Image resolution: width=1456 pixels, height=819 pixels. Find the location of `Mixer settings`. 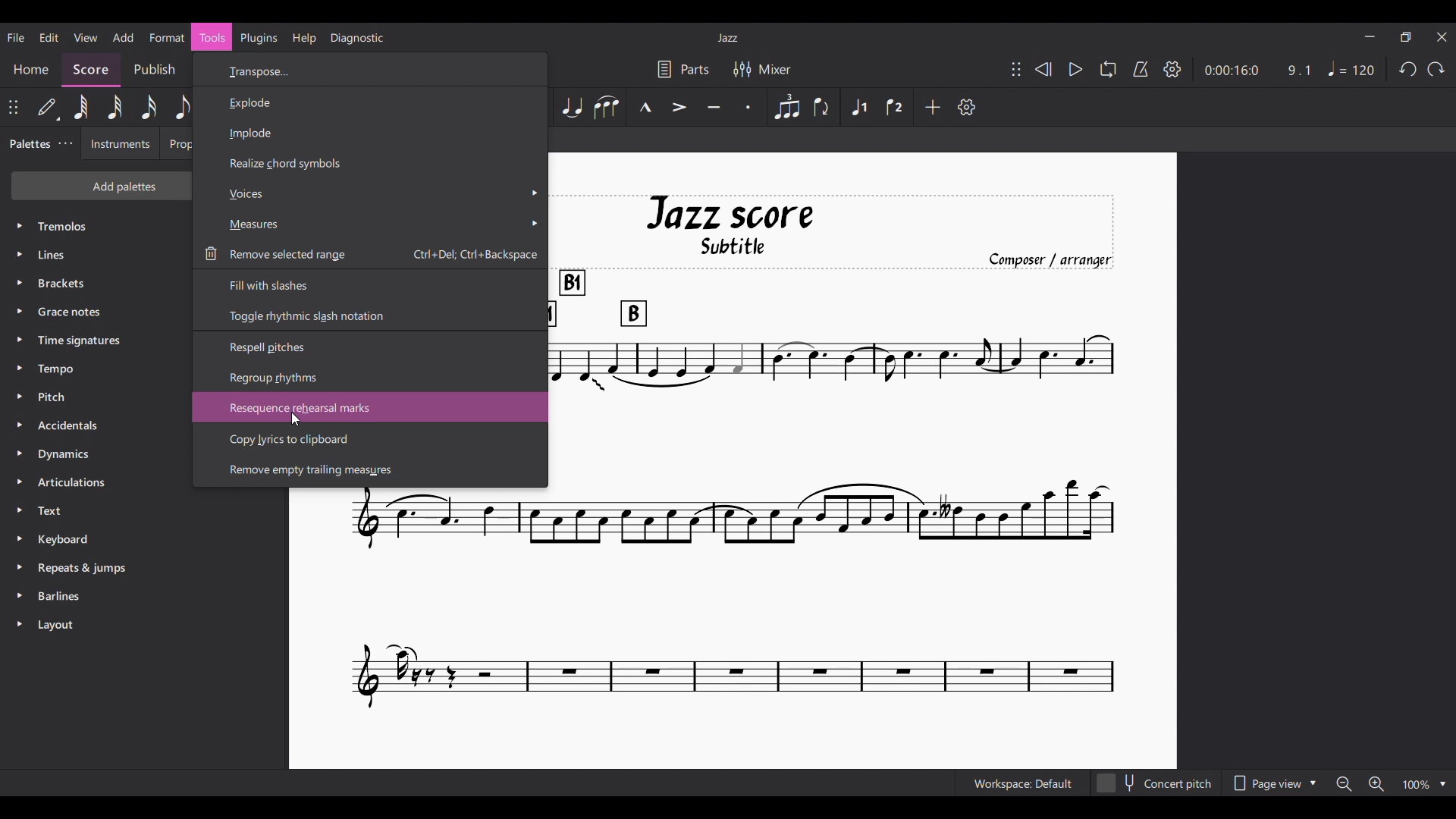

Mixer settings is located at coordinates (762, 70).